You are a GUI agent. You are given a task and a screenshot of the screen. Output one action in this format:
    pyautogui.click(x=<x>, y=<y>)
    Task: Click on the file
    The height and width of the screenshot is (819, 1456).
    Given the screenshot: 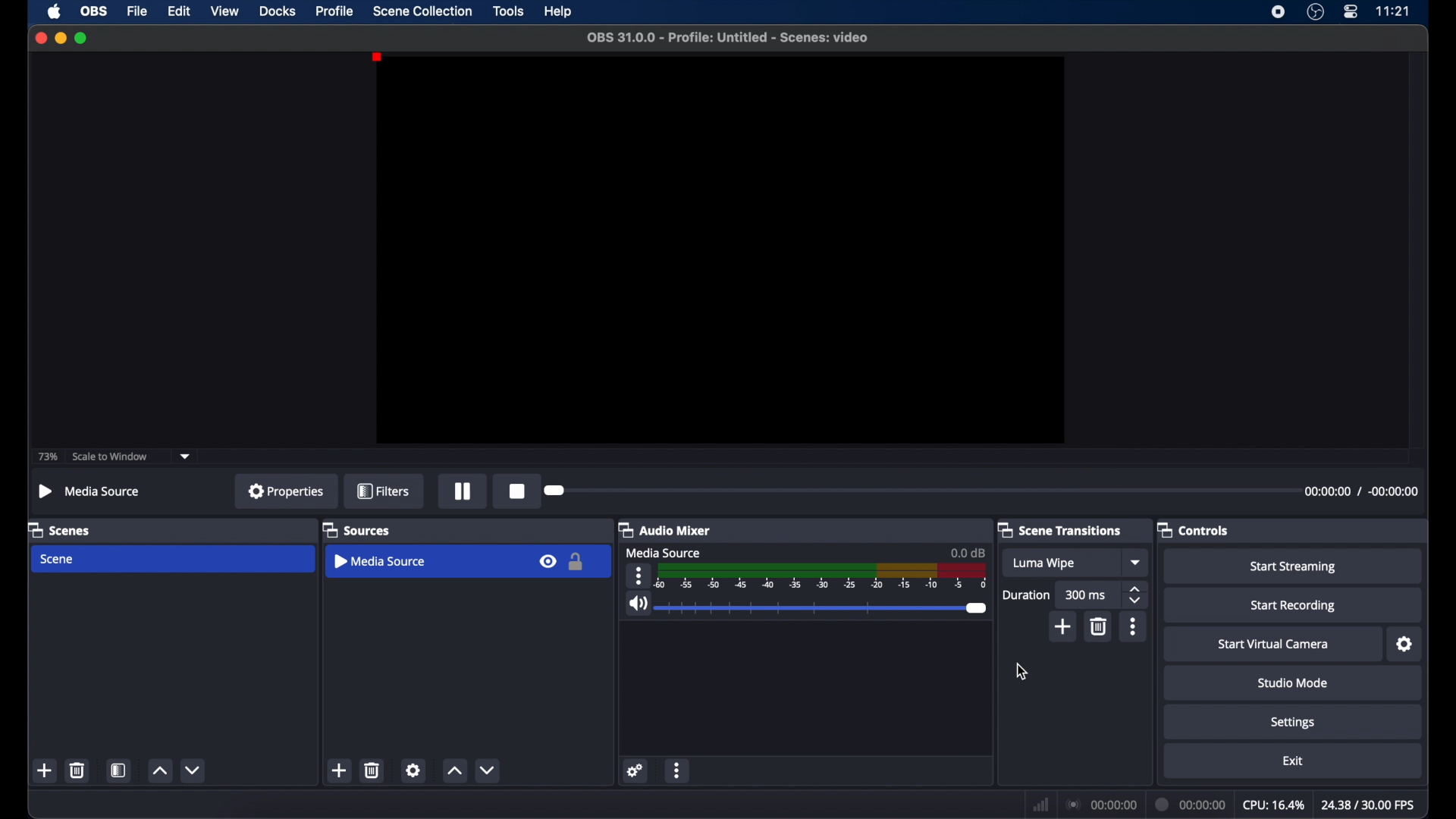 What is the action you would take?
    pyautogui.click(x=136, y=12)
    